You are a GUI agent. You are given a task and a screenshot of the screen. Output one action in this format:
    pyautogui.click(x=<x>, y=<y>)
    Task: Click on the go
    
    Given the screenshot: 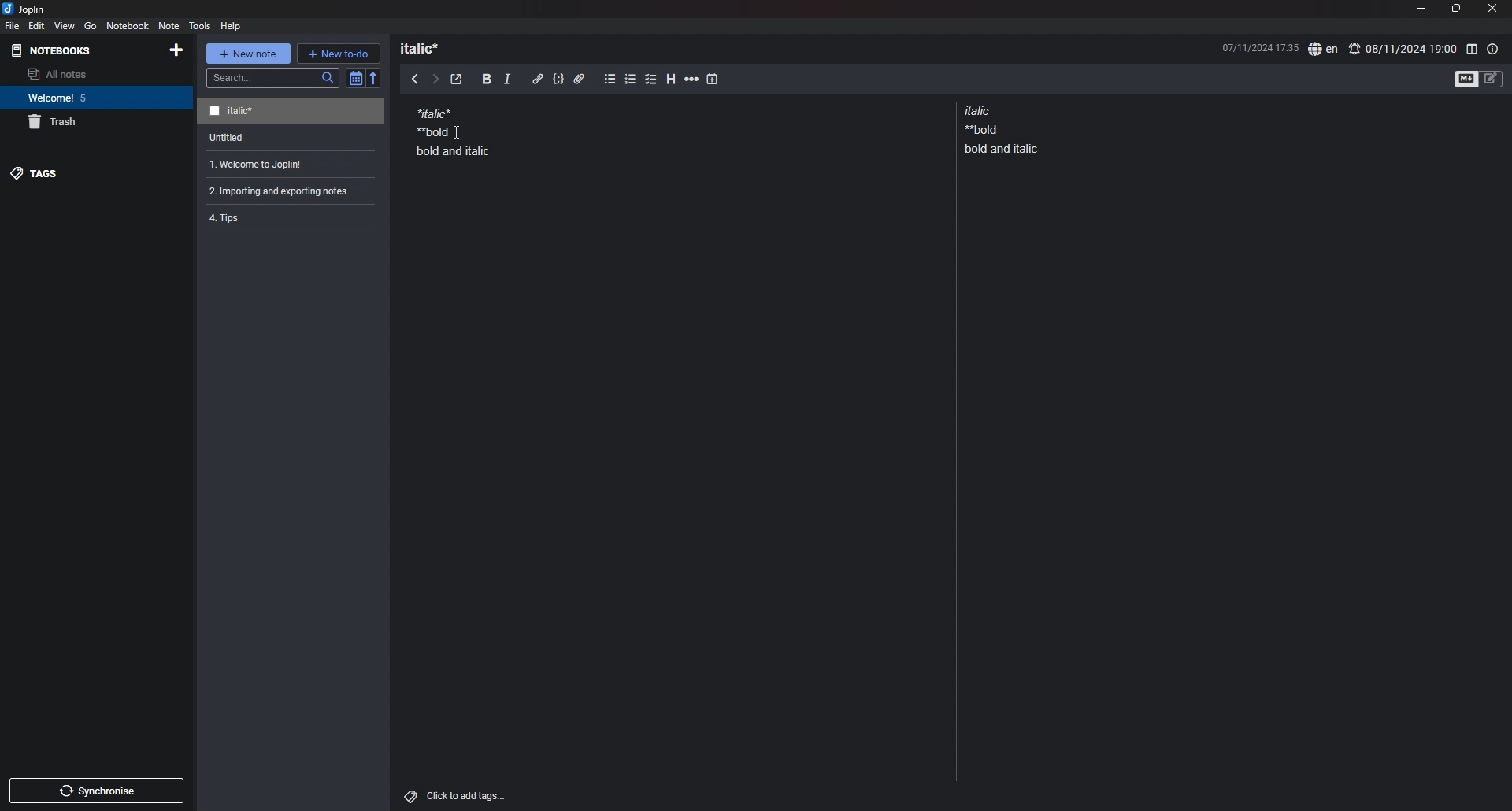 What is the action you would take?
    pyautogui.click(x=90, y=26)
    